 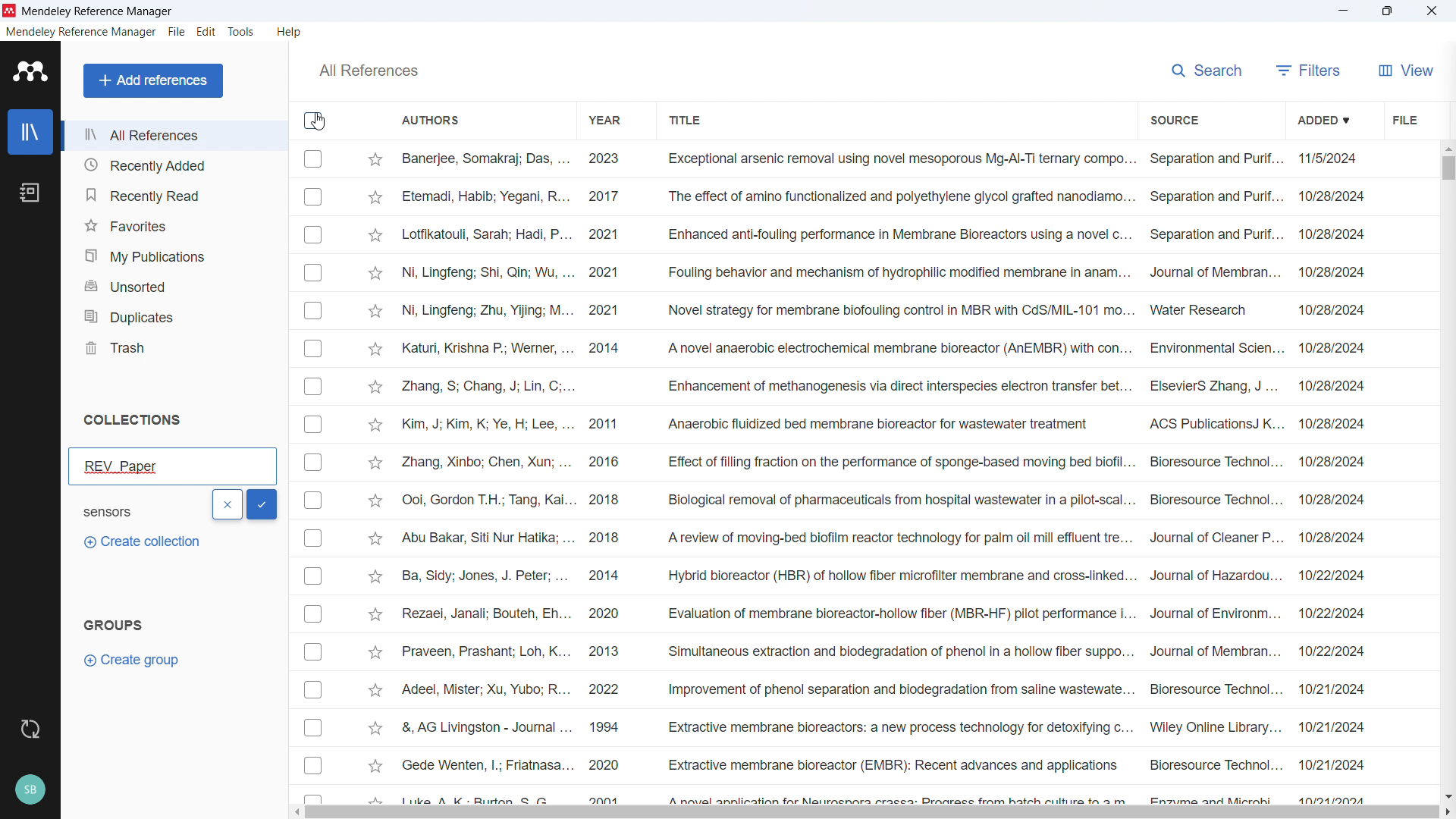 What do you see at coordinates (376, 160) in the screenshot?
I see `Star mark respective publication` at bounding box center [376, 160].